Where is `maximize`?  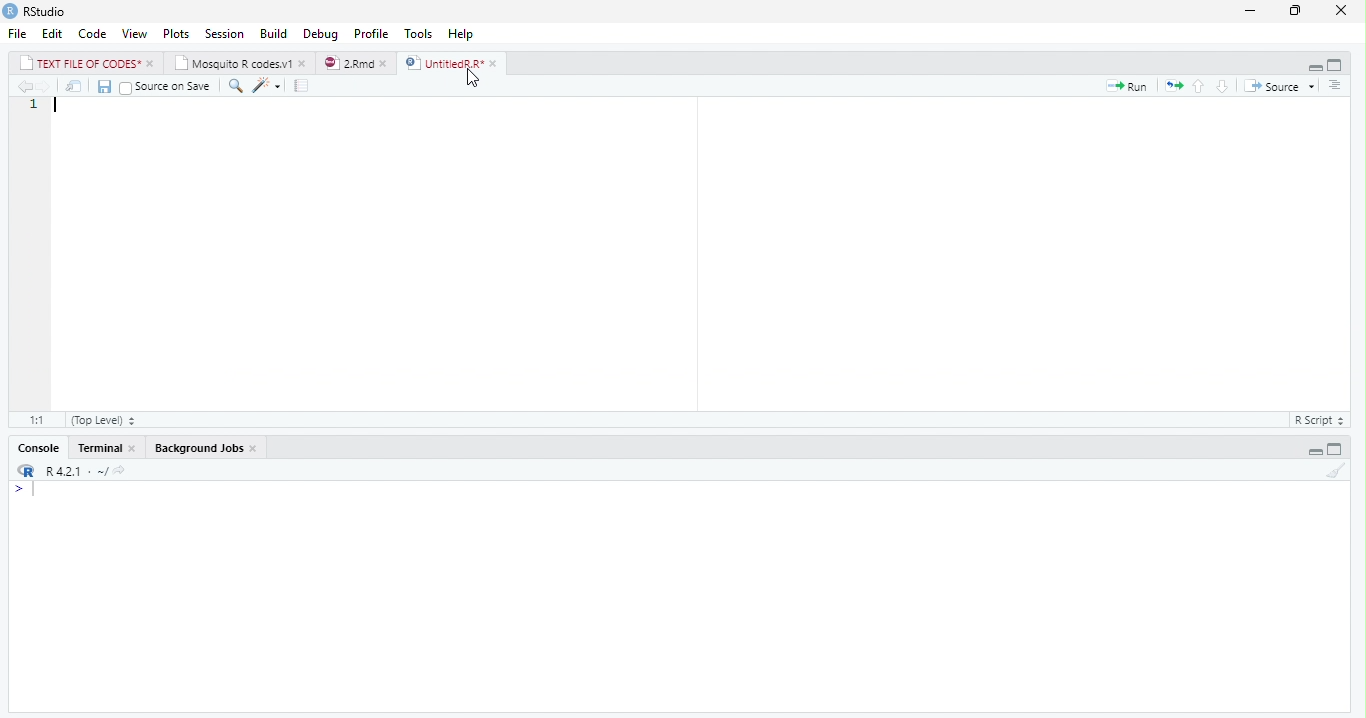 maximize is located at coordinates (1334, 450).